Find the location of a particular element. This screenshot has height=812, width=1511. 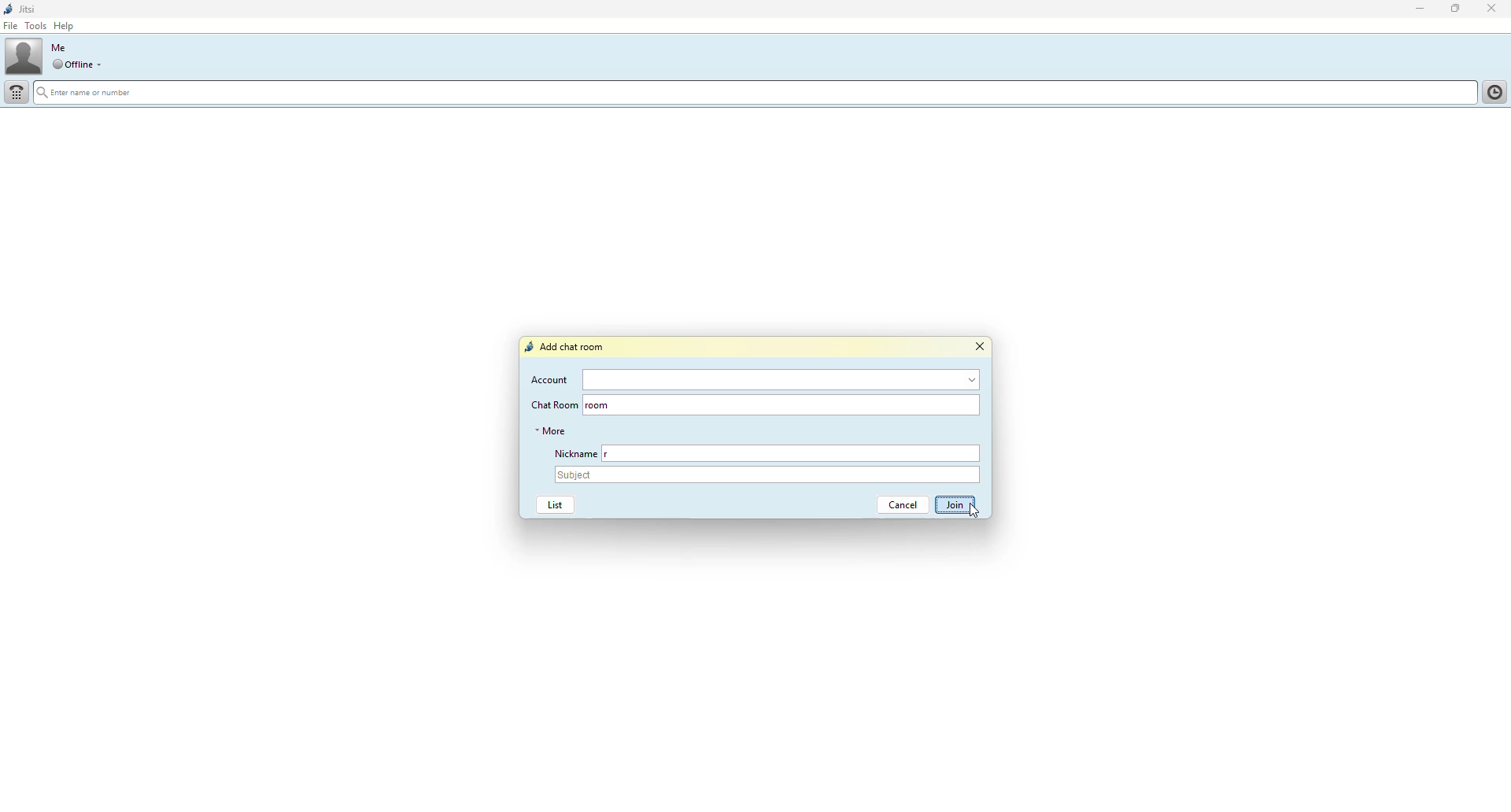

nickname is located at coordinates (805, 453).